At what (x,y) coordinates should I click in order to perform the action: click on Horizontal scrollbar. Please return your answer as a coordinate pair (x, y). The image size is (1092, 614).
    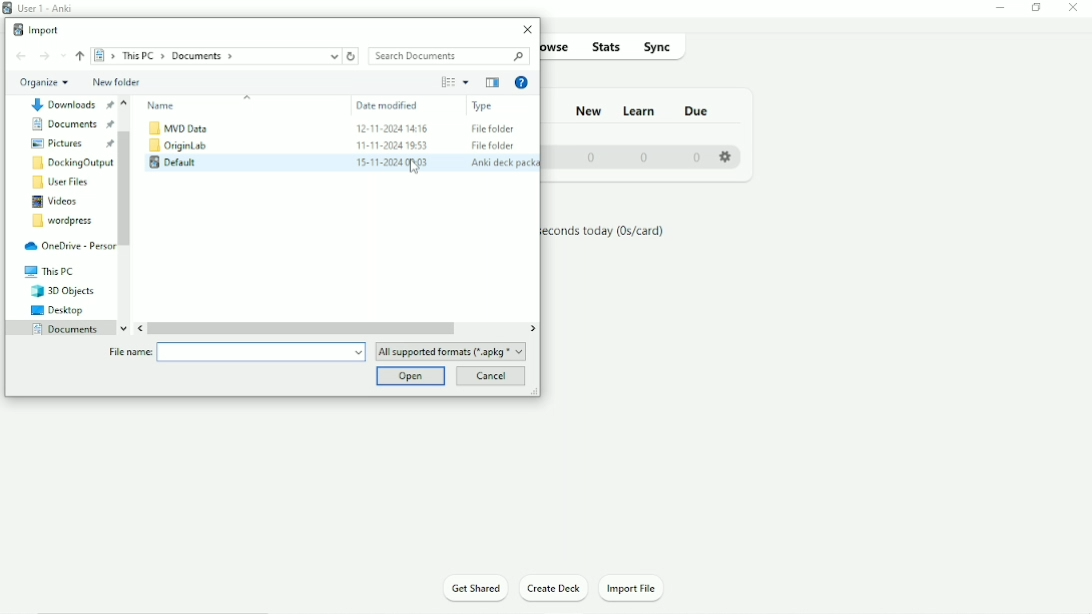
    Looking at the image, I should click on (304, 328).